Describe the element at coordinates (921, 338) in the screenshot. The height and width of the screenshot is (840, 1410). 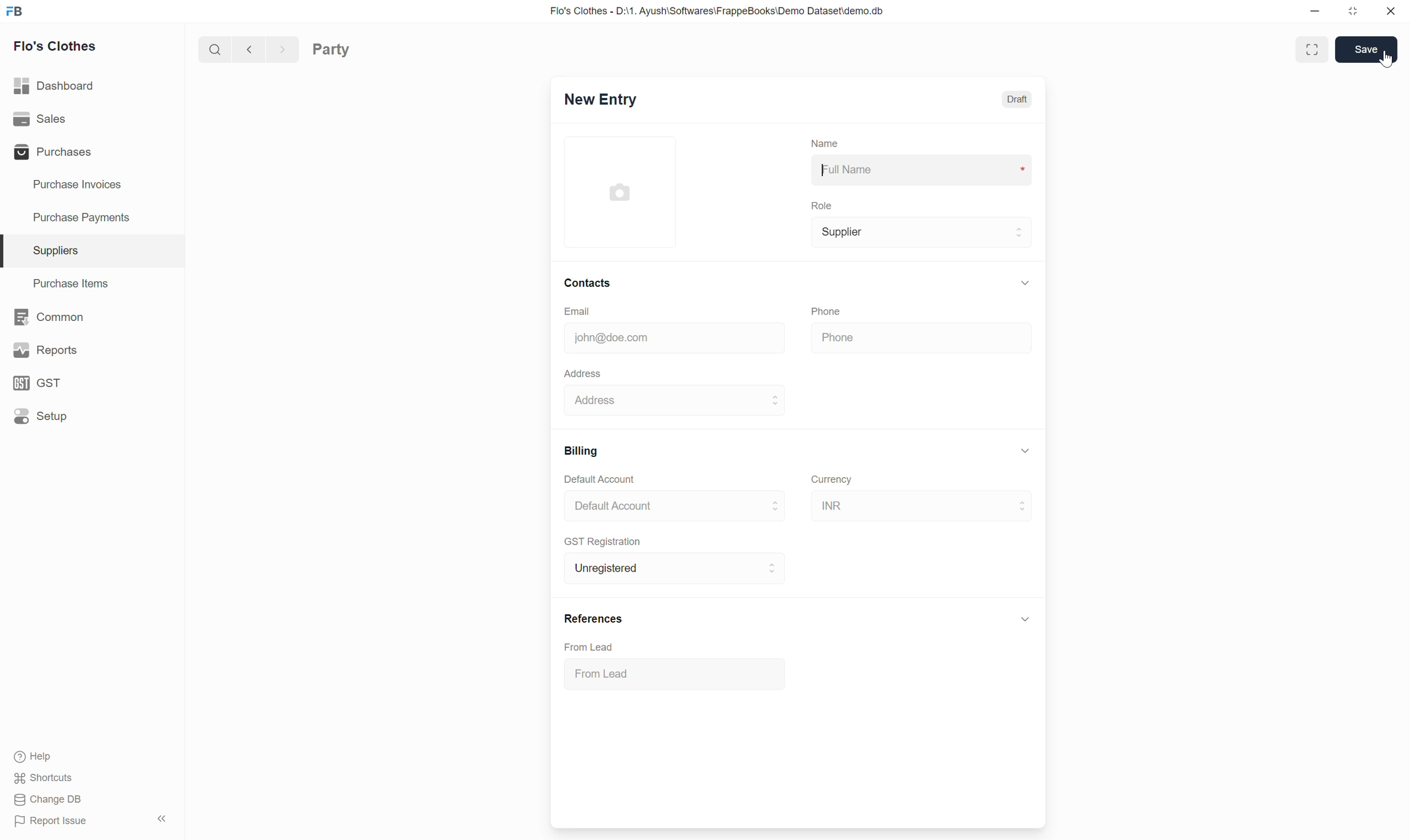
I see `Phone` at that location.